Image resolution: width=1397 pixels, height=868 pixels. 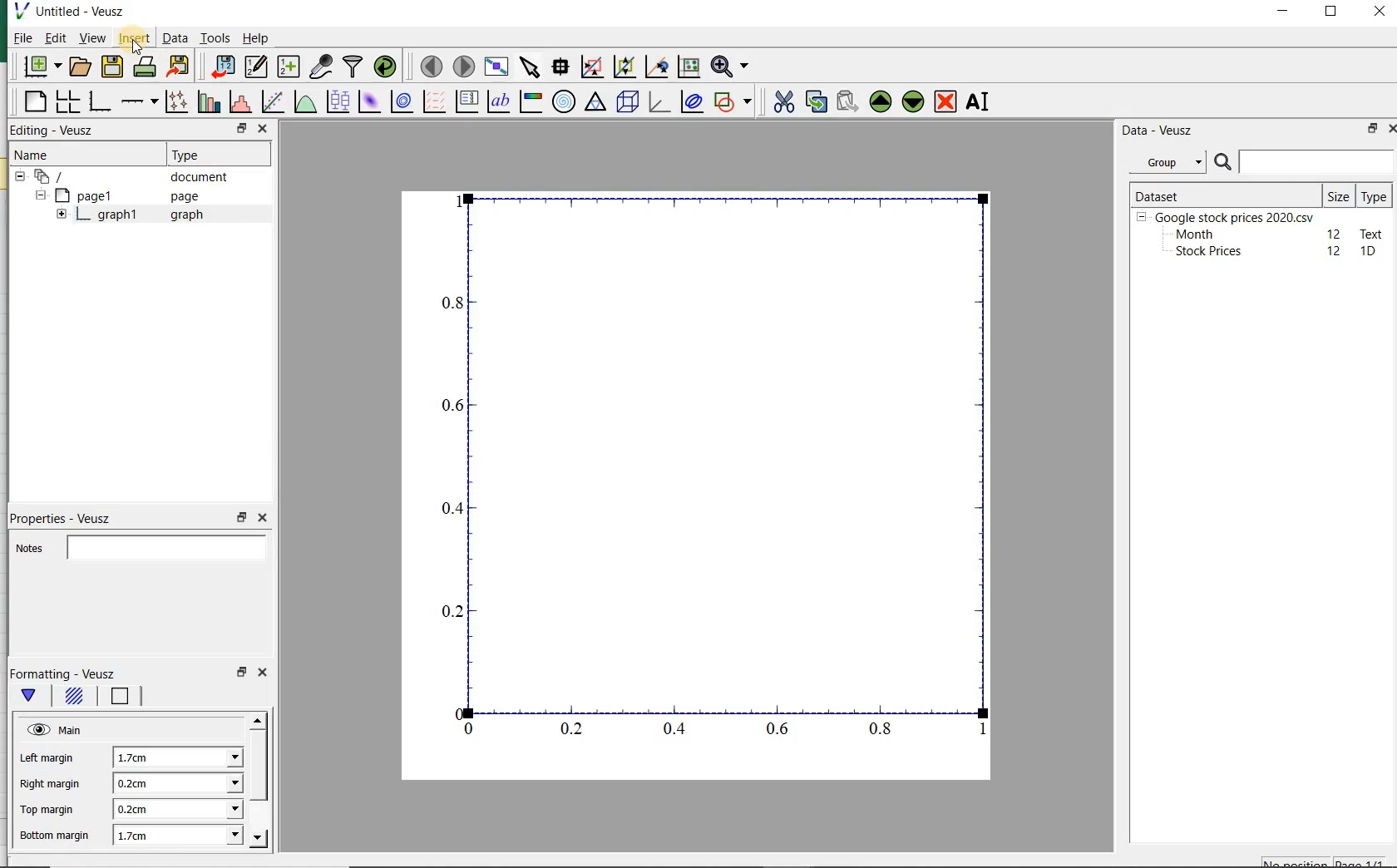 What do you see at coordinates (175, 758) in the screenshot?
I see `1.7cm` at bounding box center [175, 758].